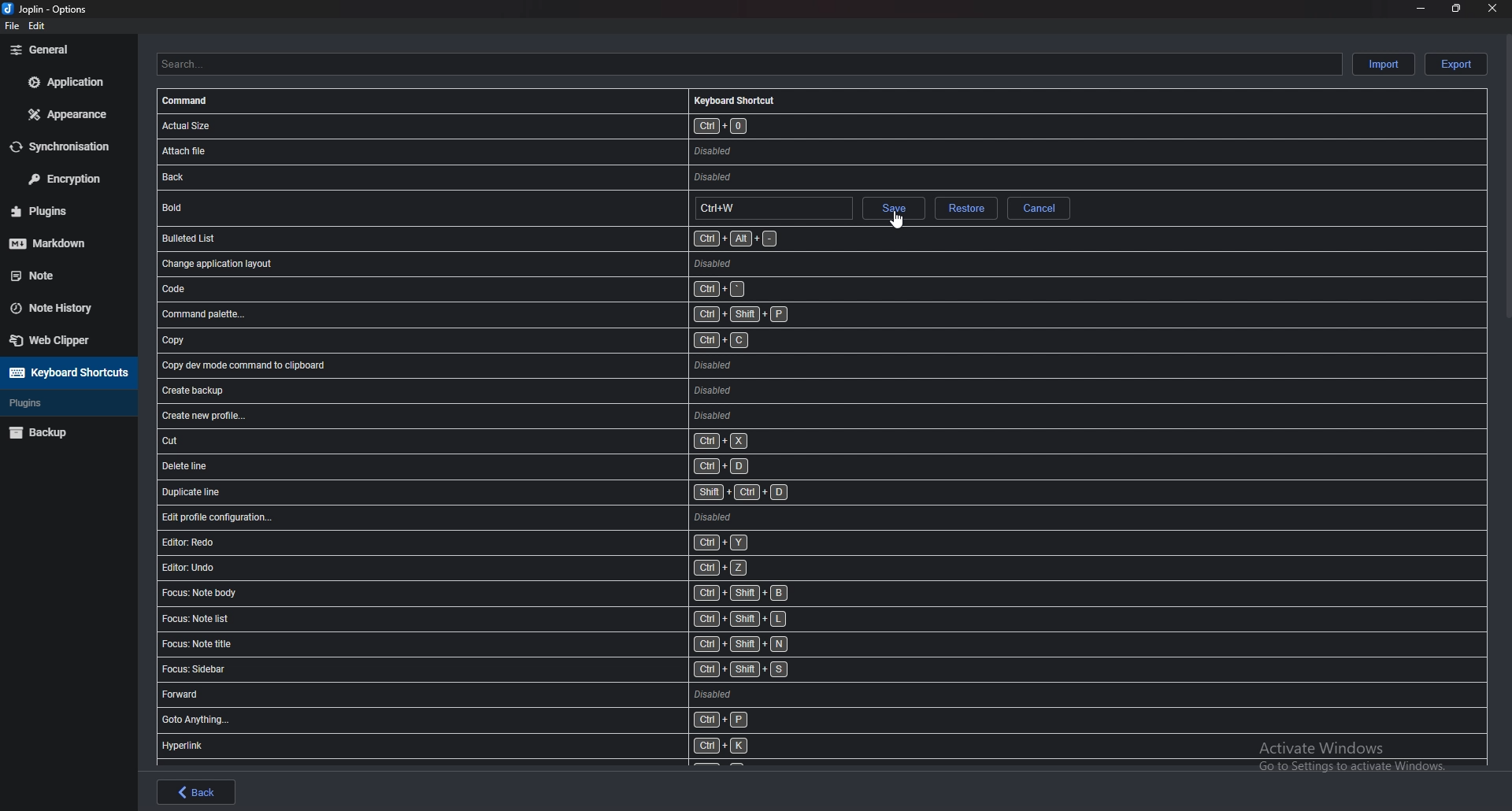 The height and width of the screenshot is (811, 1512). What do you see at coordinates (523, 670) in the screenshot?
I see `shortcut` at bounding box center [523, 670].